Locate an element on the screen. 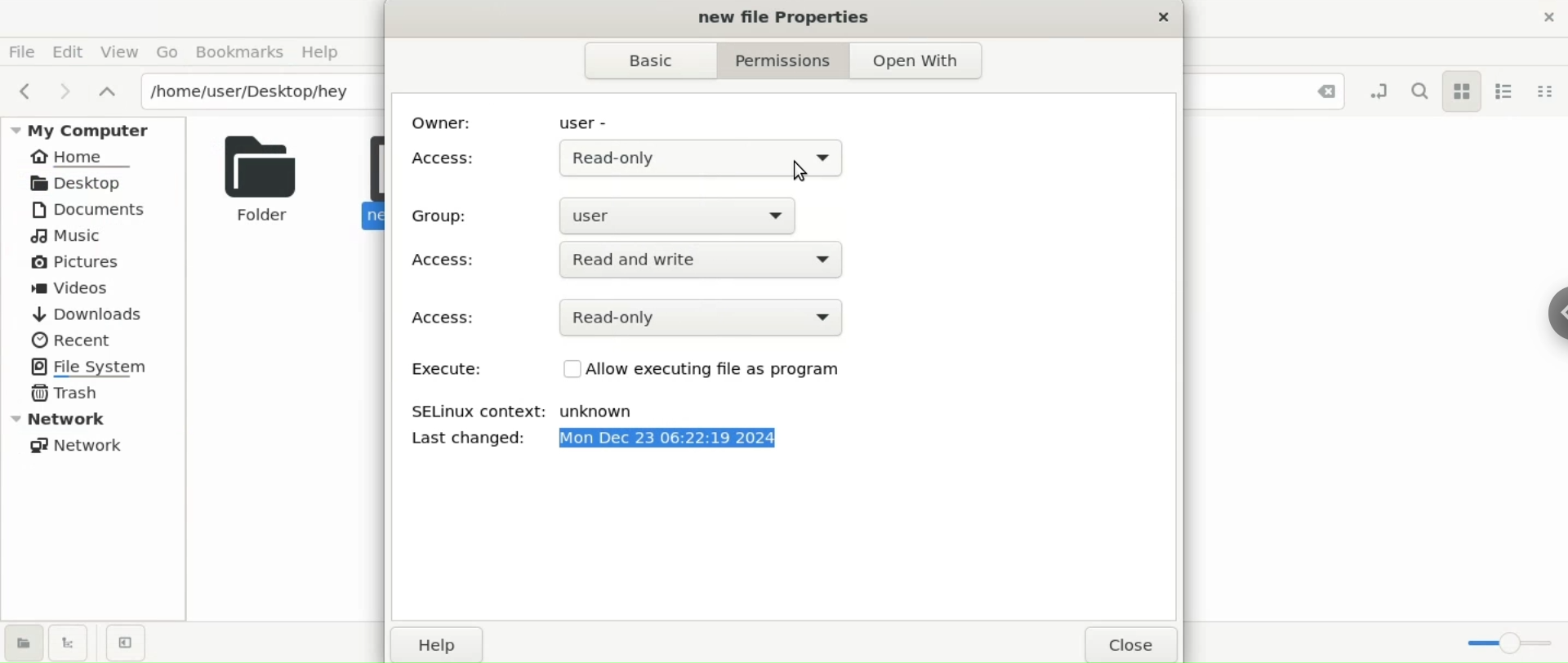 The width and height of the screenshot is (1568, 663). close is located at coordinates (1134, 645).